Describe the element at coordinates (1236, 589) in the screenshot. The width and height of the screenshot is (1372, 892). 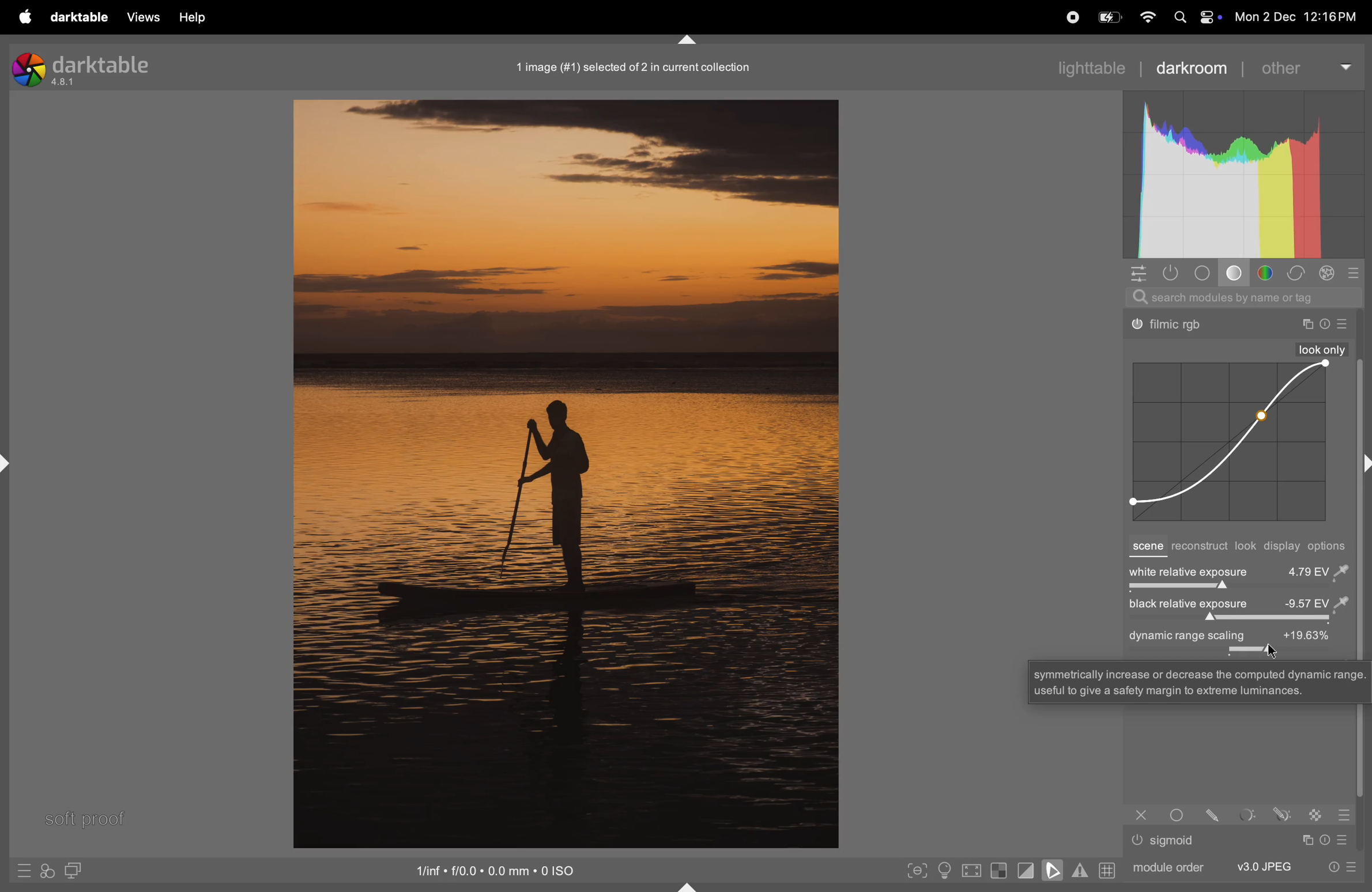
I see `toggle bar` at that location.